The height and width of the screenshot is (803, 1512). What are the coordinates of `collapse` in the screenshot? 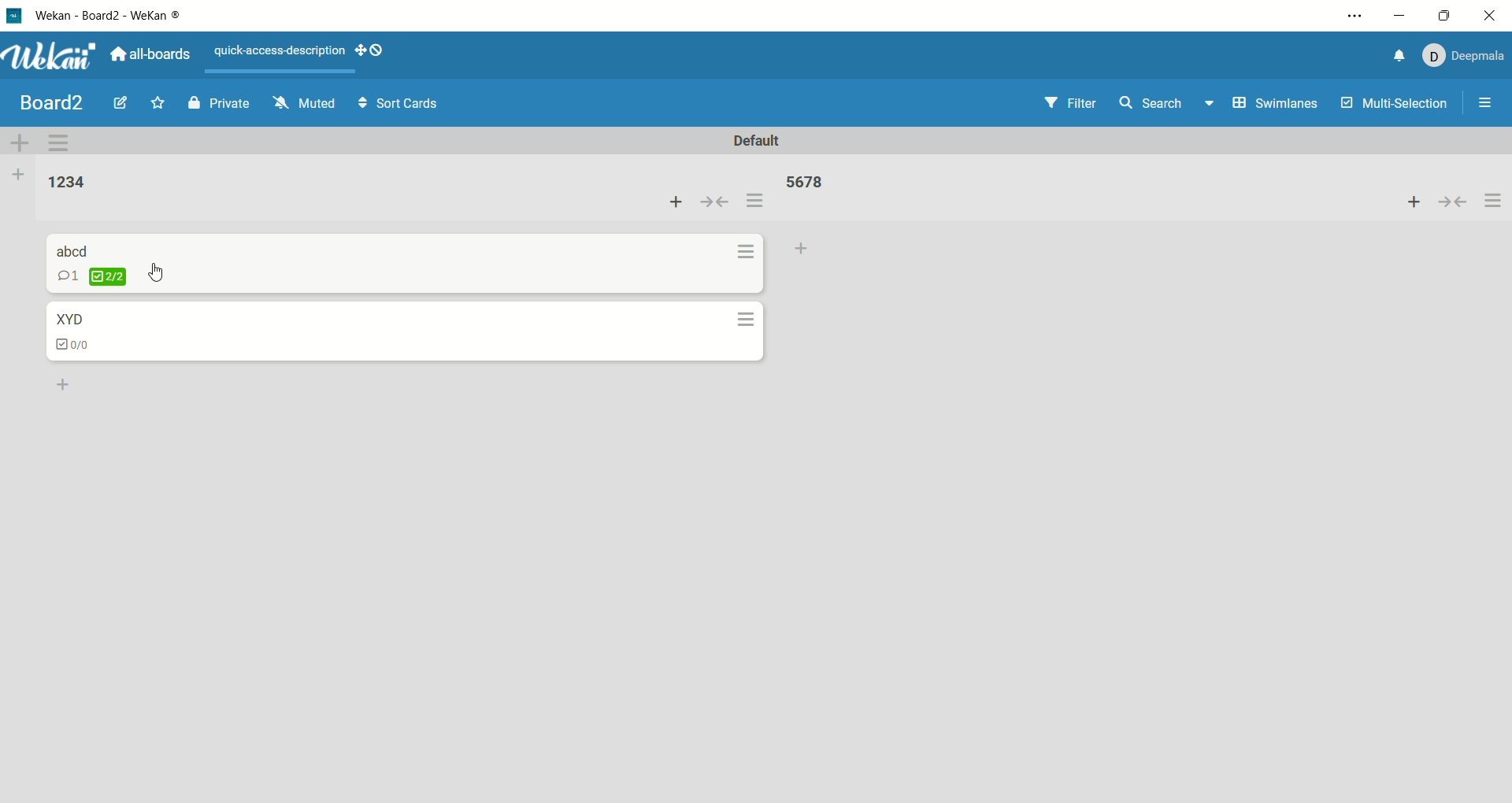 It's located at (1454, 203).